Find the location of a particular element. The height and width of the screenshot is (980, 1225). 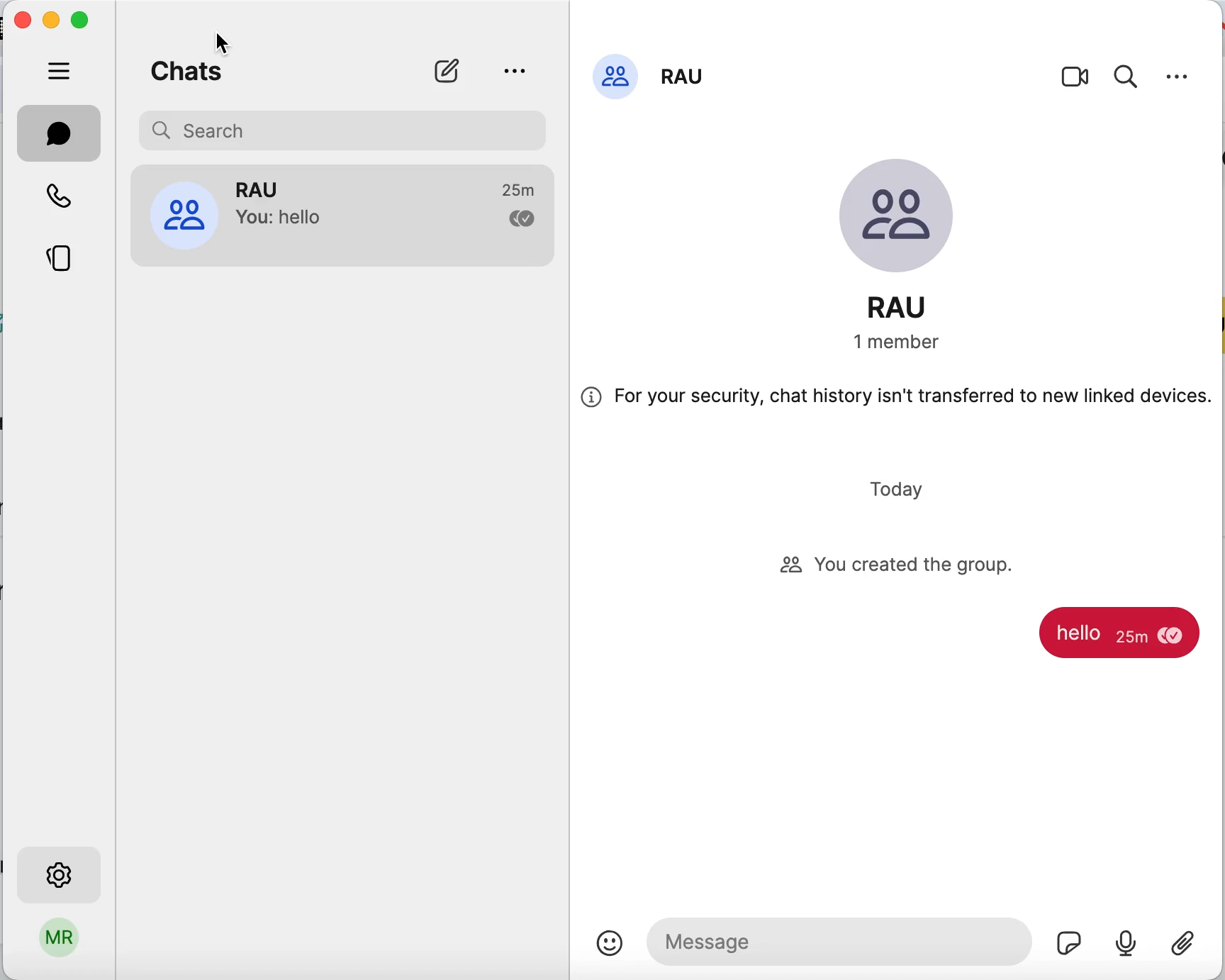

attach is located at coordinates (1185, 951).